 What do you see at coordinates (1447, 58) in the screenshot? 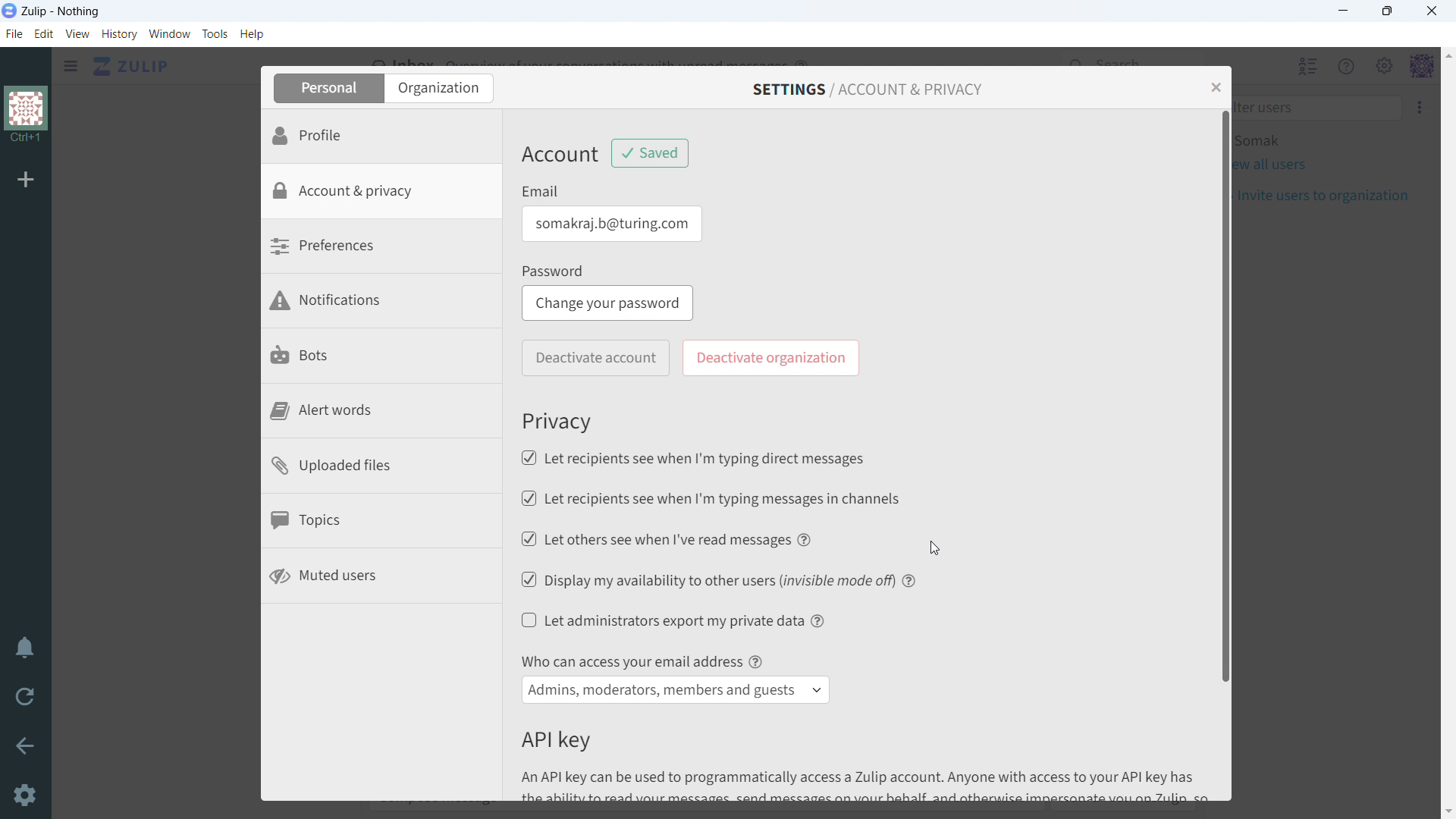
I see `scroll up` at bounding box center [1447, 58].